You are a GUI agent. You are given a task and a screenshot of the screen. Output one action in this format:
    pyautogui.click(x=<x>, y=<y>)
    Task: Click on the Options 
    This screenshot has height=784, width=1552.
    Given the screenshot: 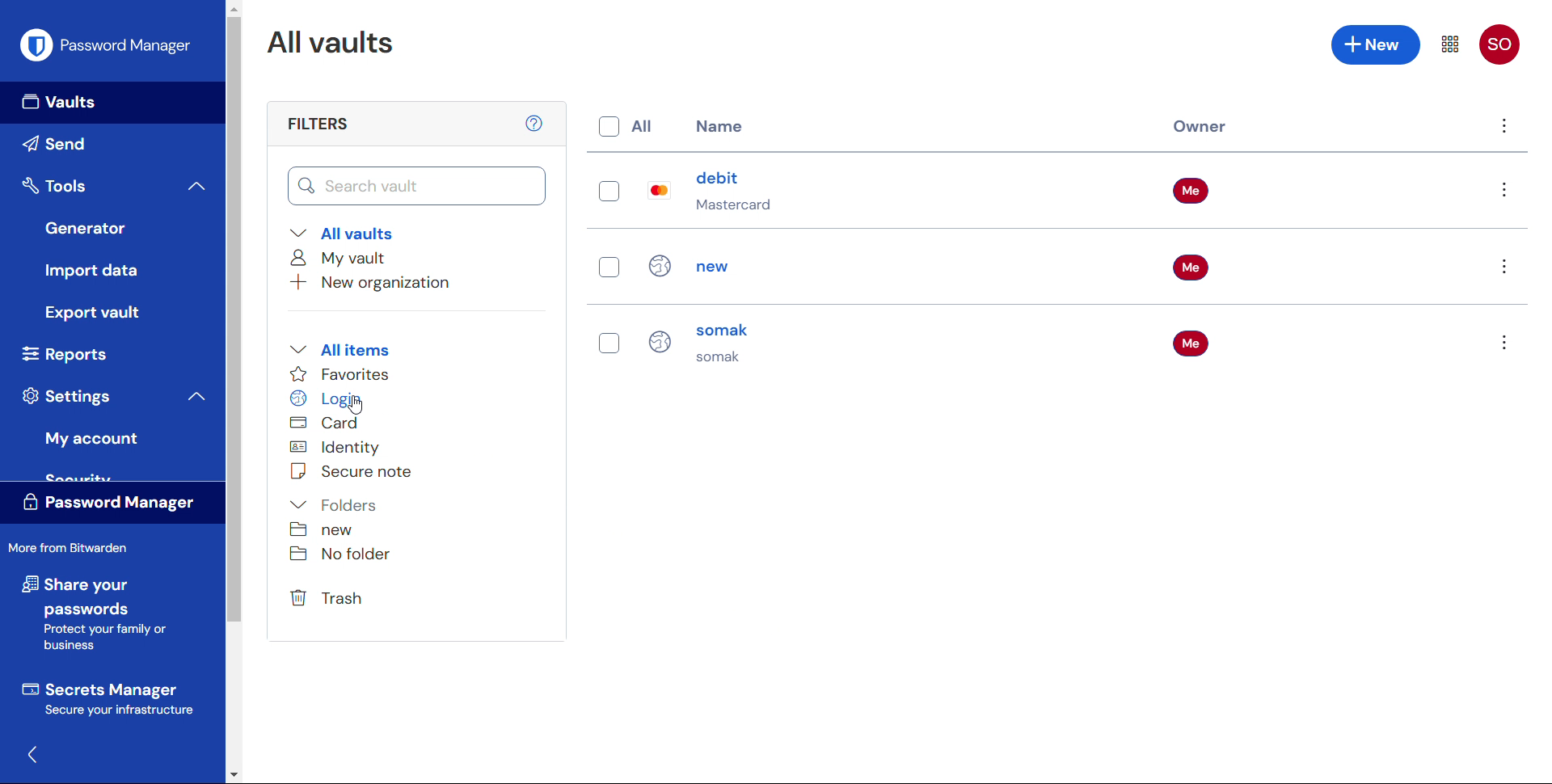 What is the action you would take?
    pyautogui.click(x=1503, y=189)
    